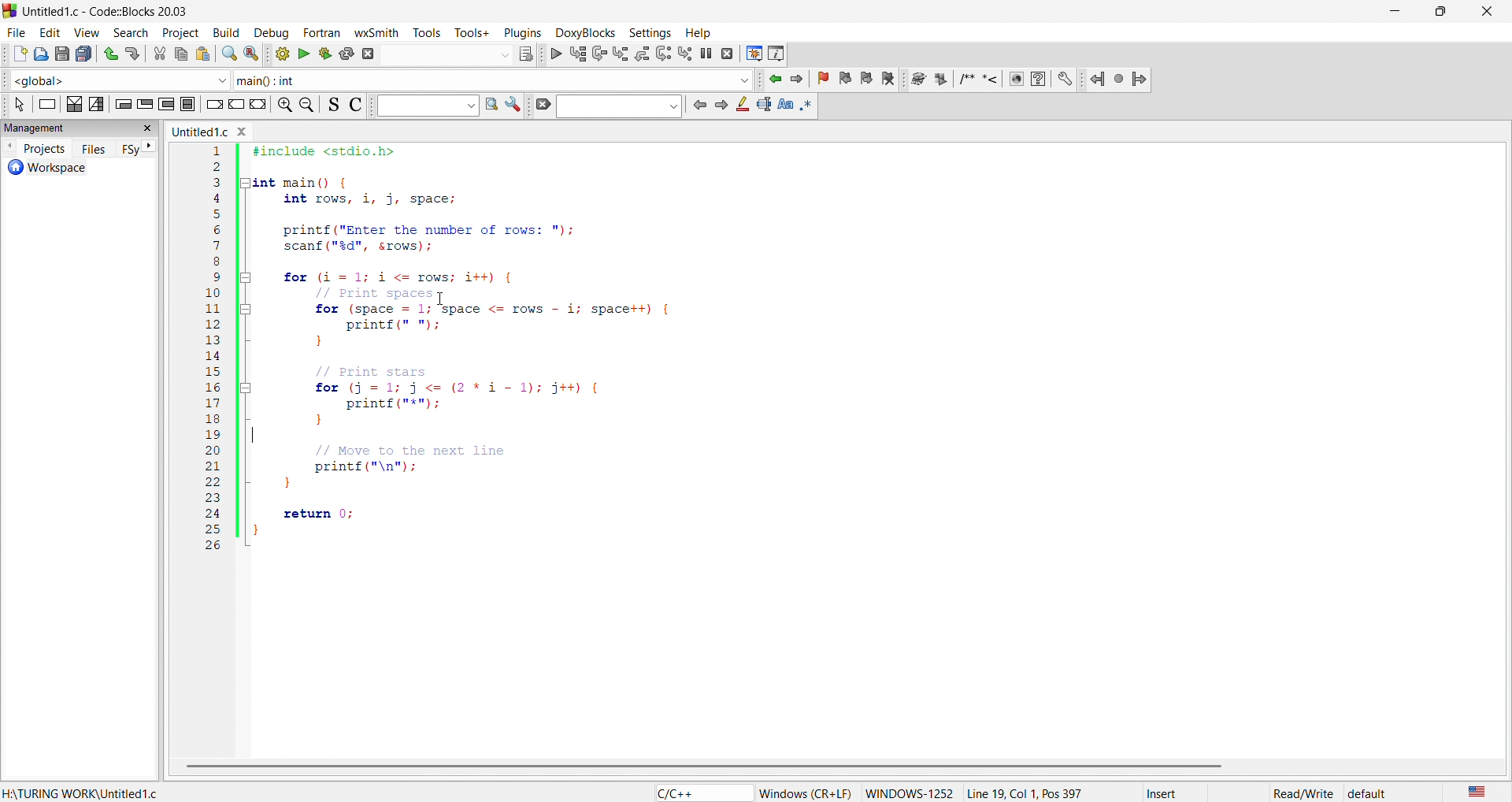  I want to click on Insert, so click(1176, 793).